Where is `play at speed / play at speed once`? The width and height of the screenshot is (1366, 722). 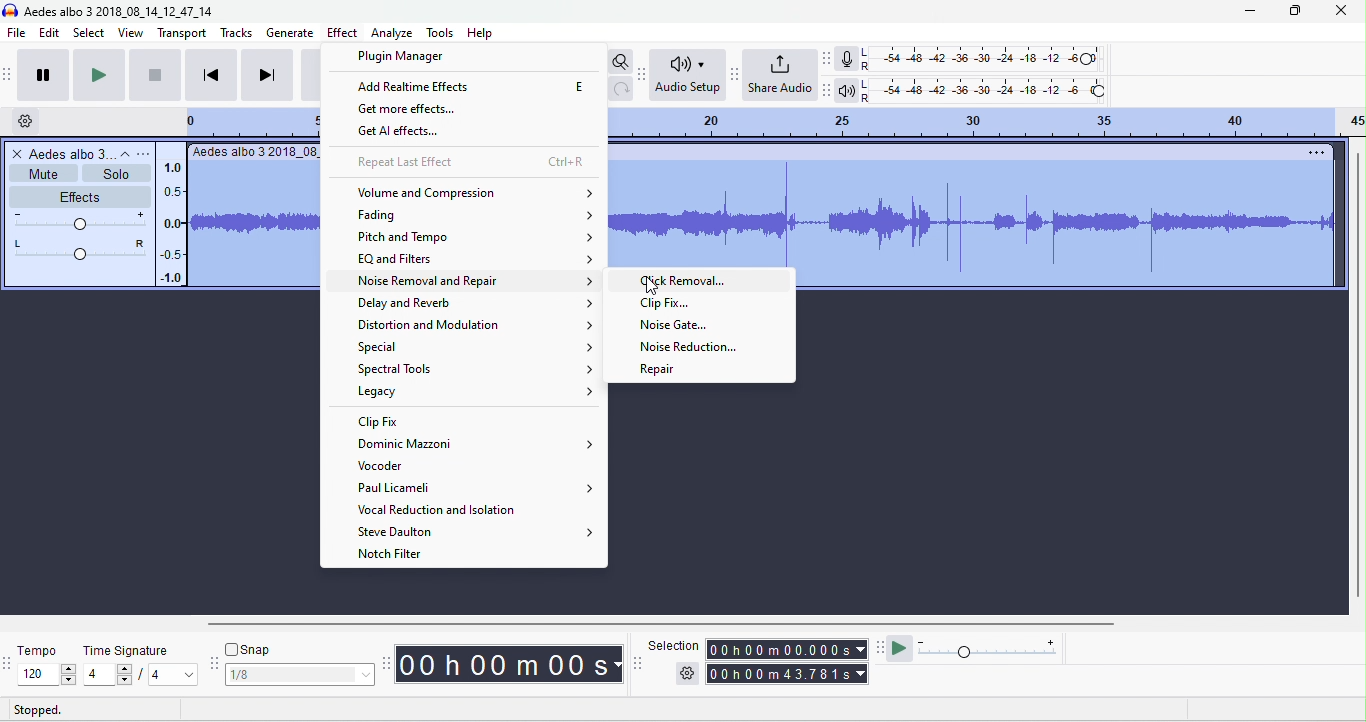 play at speed / play at speed once is located at coordinates (899, 650).